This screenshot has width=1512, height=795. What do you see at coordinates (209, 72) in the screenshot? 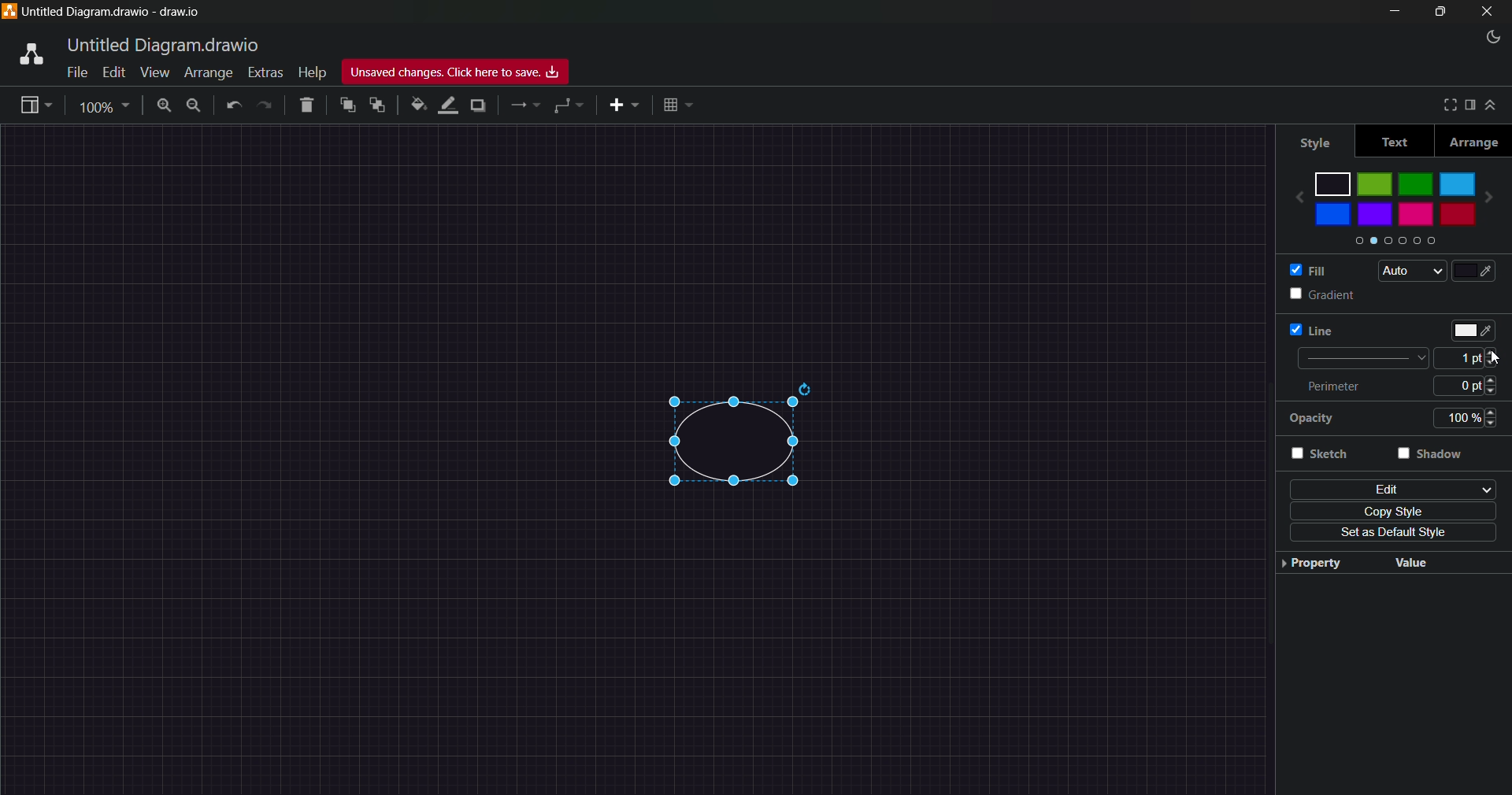
I see `arrange` at bounding box center [209, 72].